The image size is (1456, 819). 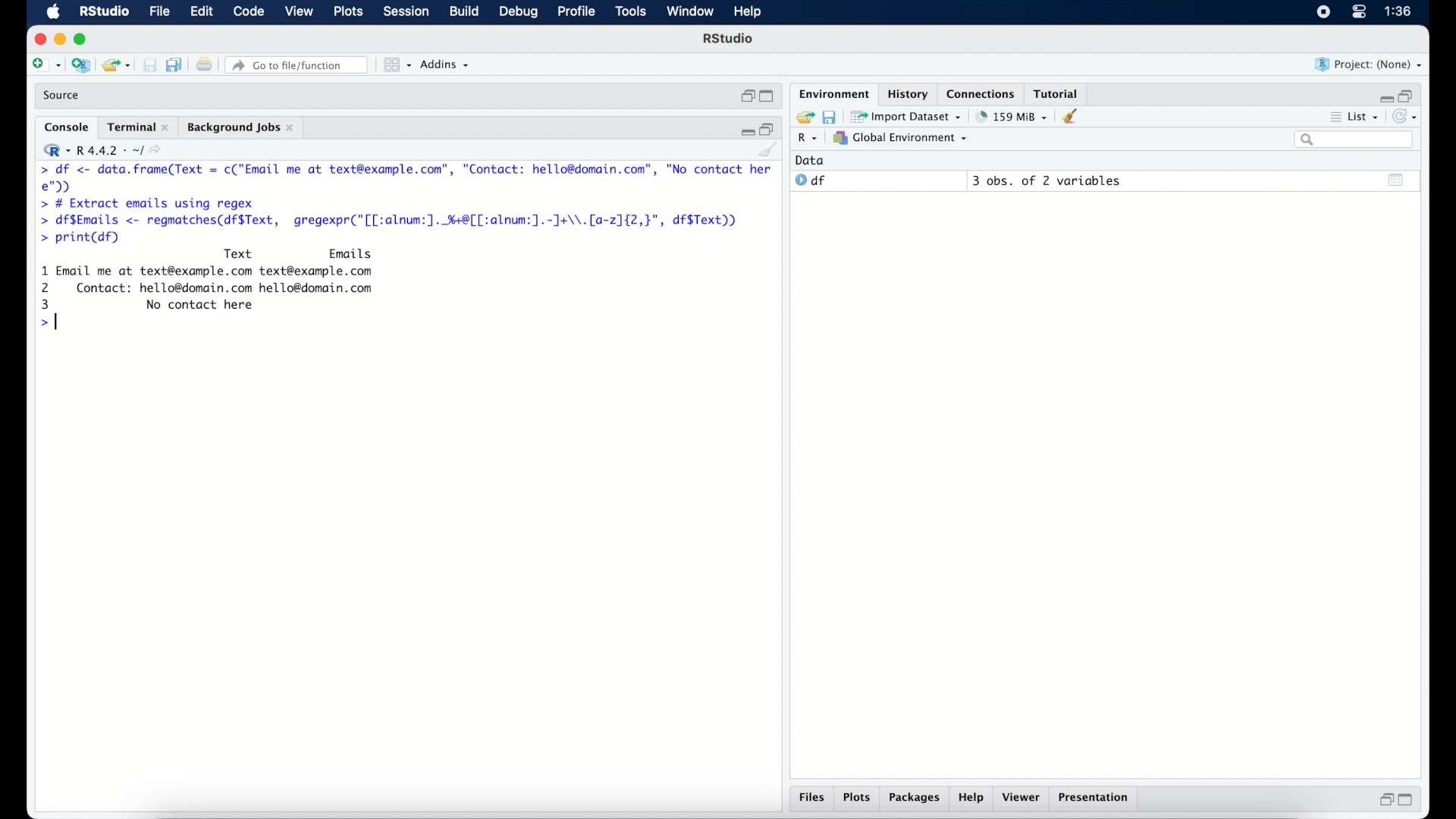 What do you see at coordinates (45, 65) in the screenshot?
I see `create new file` at bounding box center [45, 65].